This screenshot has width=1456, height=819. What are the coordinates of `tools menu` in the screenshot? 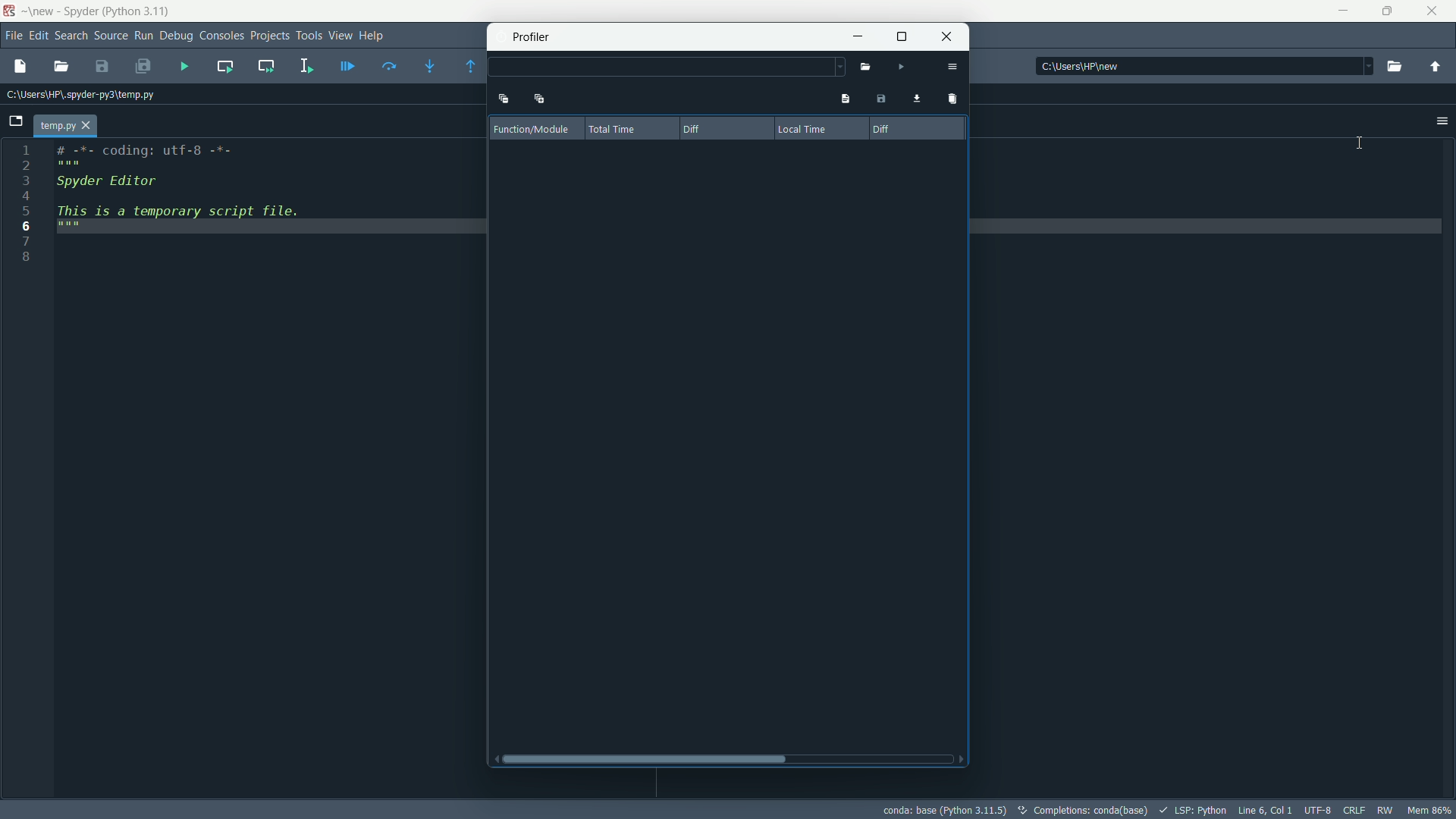 It's located at (308, 36).